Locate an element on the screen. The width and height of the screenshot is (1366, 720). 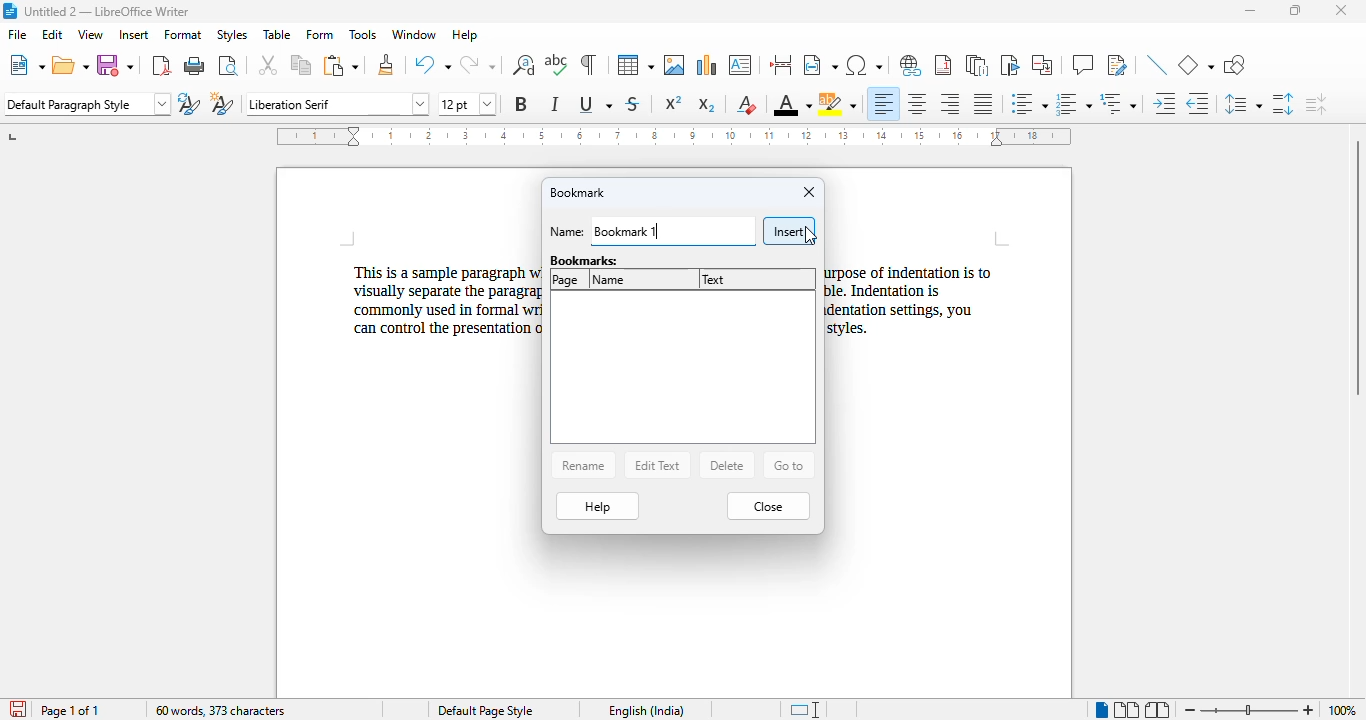
superscript is located at coordinates (674, 103).